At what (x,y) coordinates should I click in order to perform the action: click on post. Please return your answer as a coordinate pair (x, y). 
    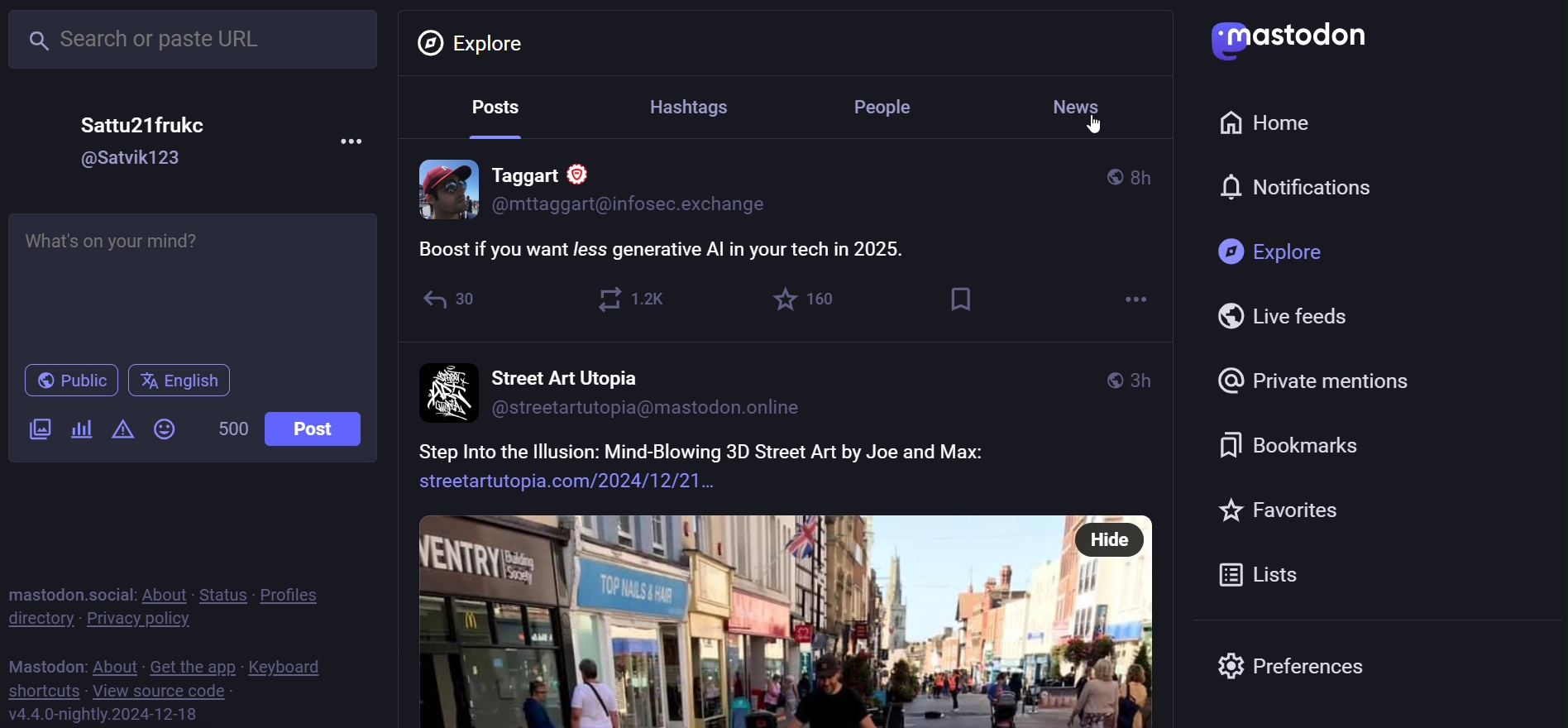
    Looking at the image, I should click on (493, 110).